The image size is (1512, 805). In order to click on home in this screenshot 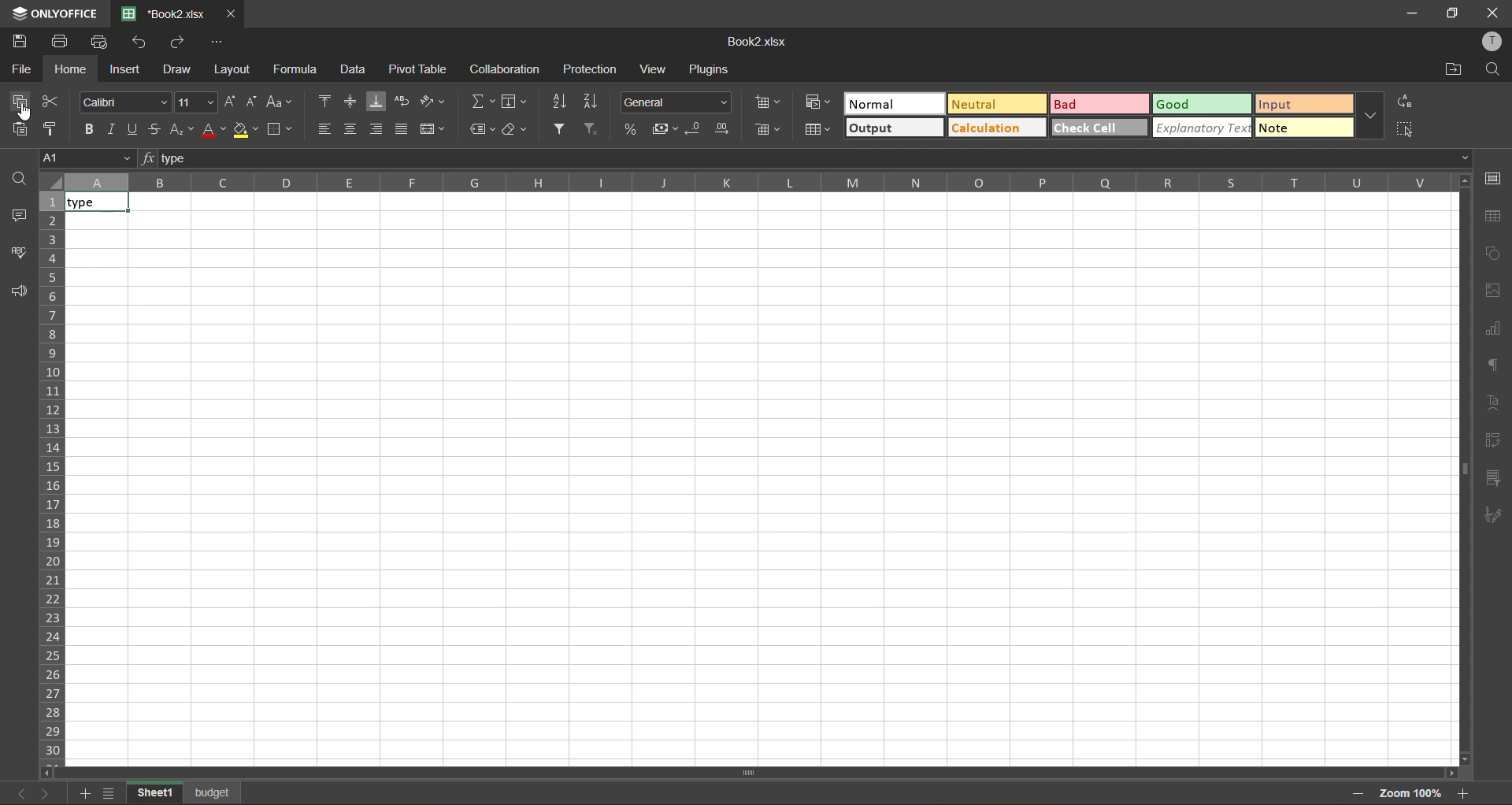, I will do `click(71, 69)`.